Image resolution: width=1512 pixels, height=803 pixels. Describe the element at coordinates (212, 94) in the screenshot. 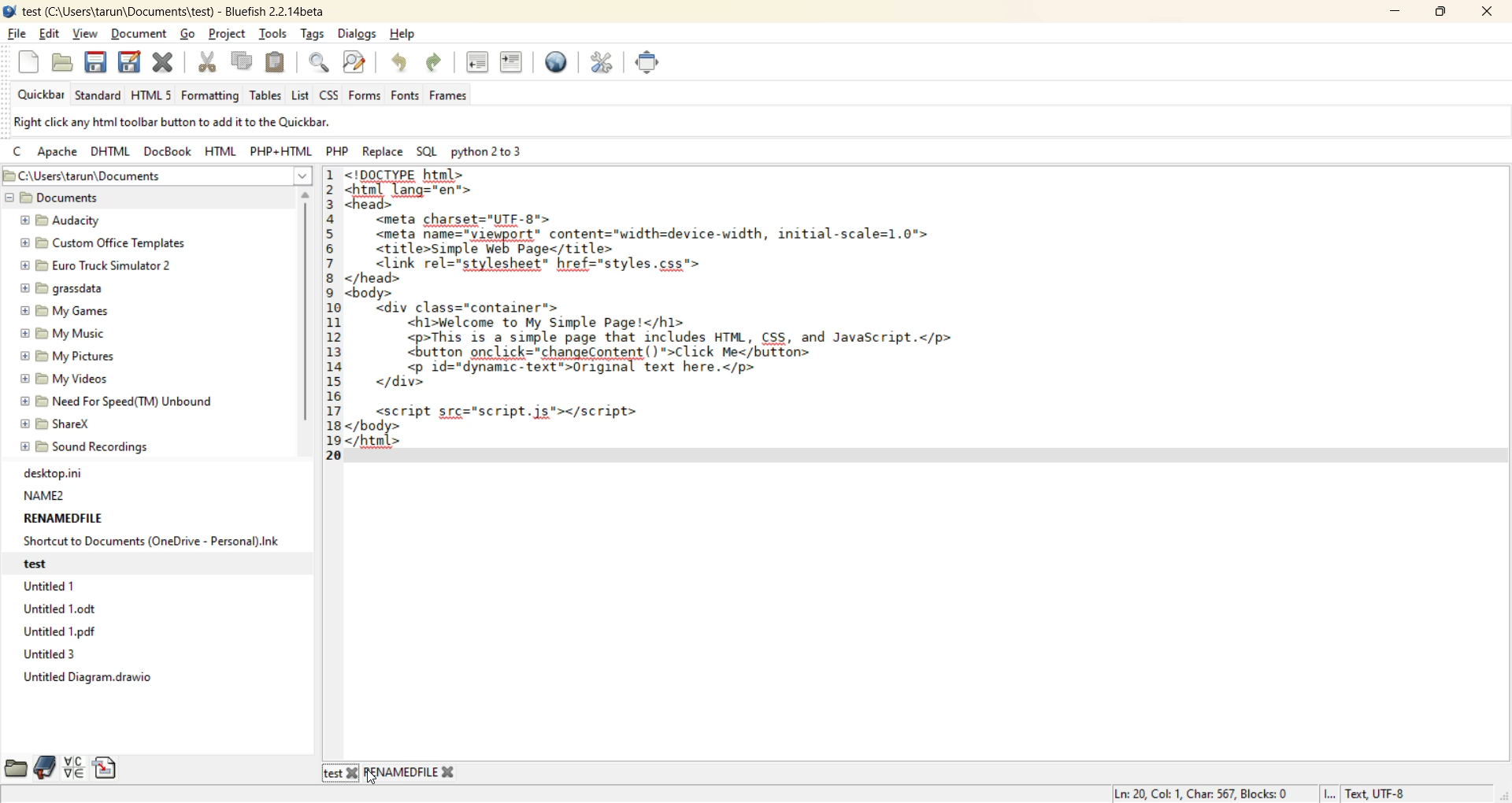

I see `formatting` at that location.